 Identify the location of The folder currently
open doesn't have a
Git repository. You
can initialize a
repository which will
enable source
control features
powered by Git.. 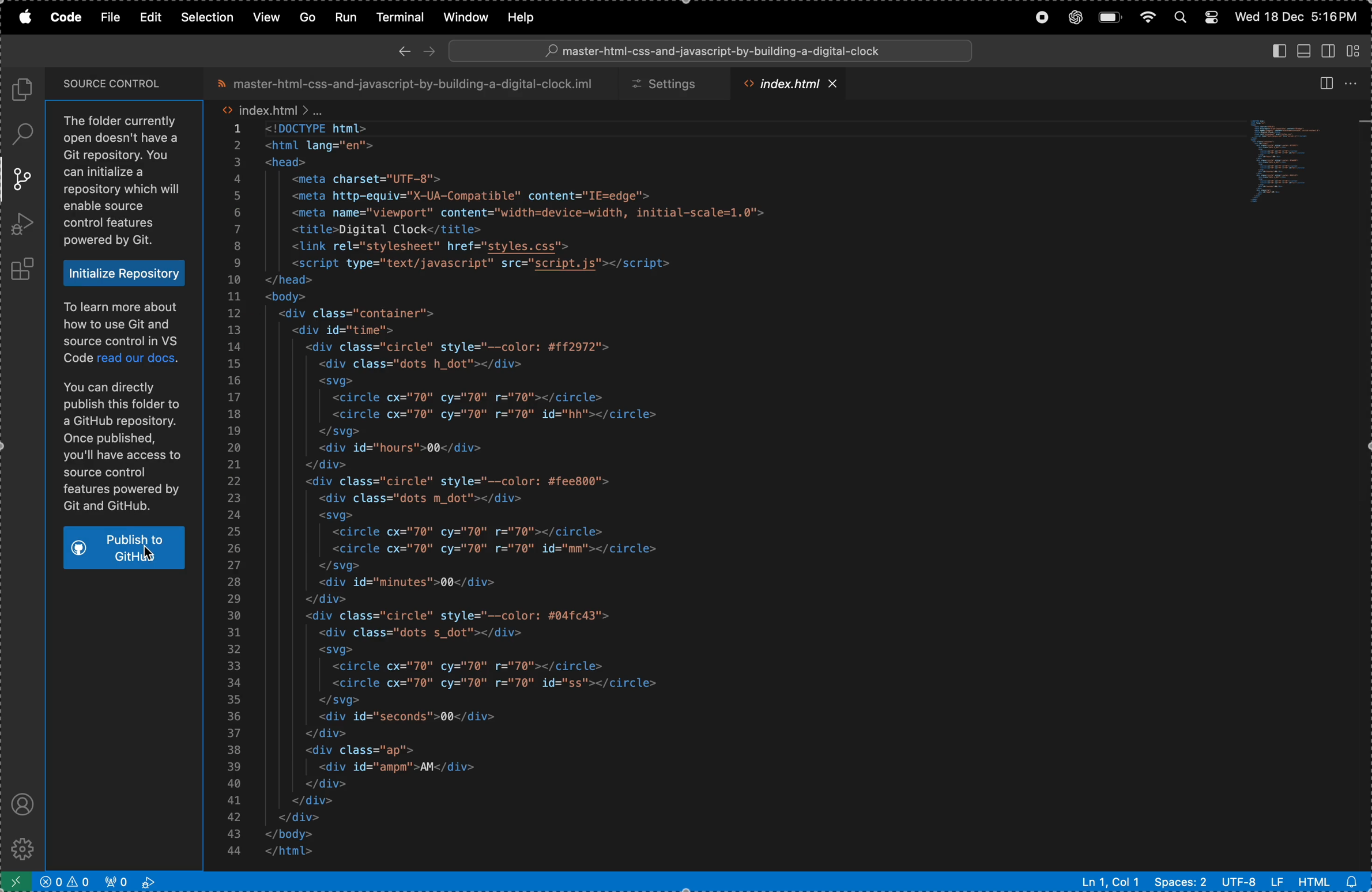
(126, 181).